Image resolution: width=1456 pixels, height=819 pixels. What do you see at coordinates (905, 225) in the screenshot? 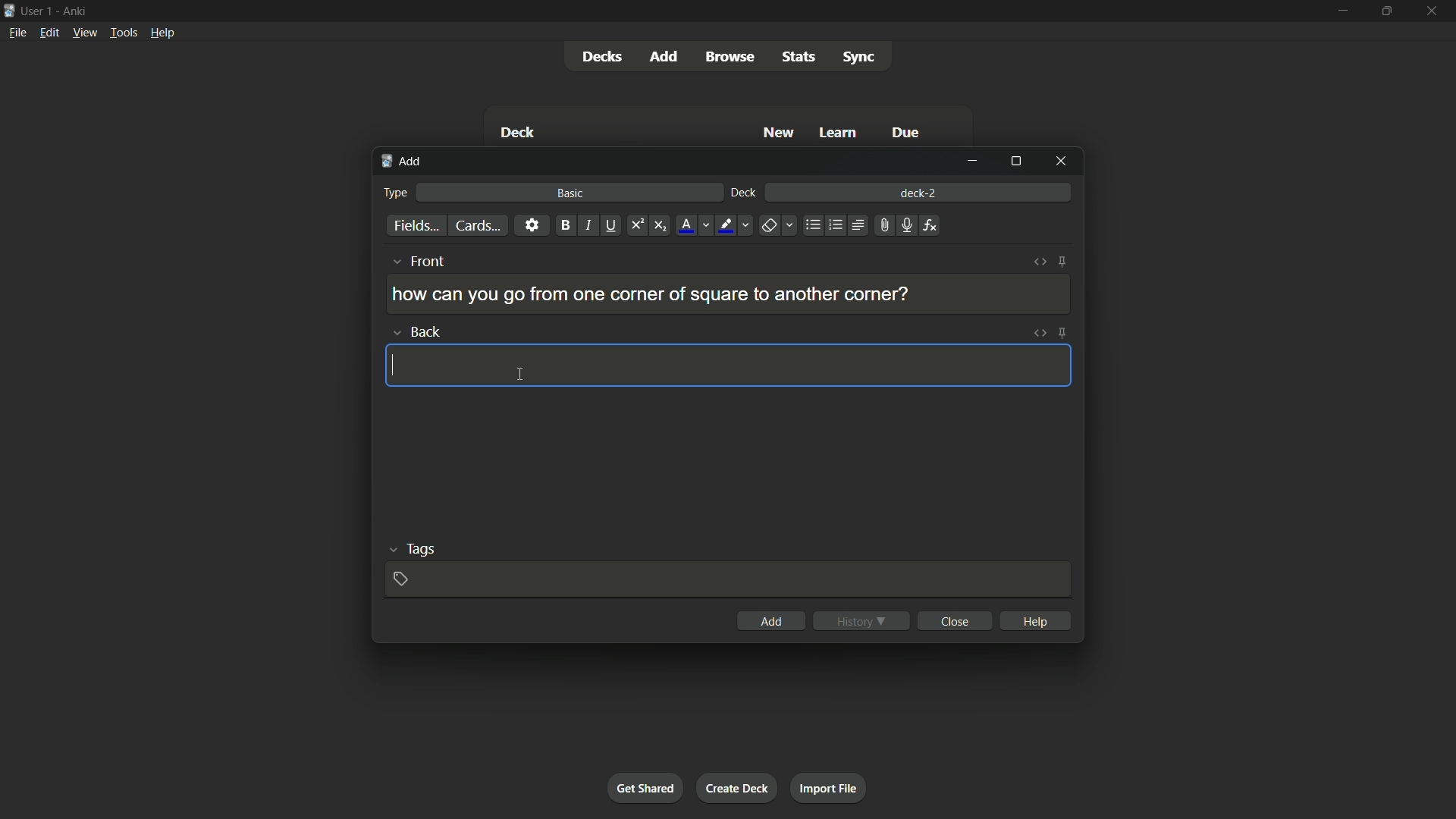
I see `record audio` at bounding box center [905, 225].